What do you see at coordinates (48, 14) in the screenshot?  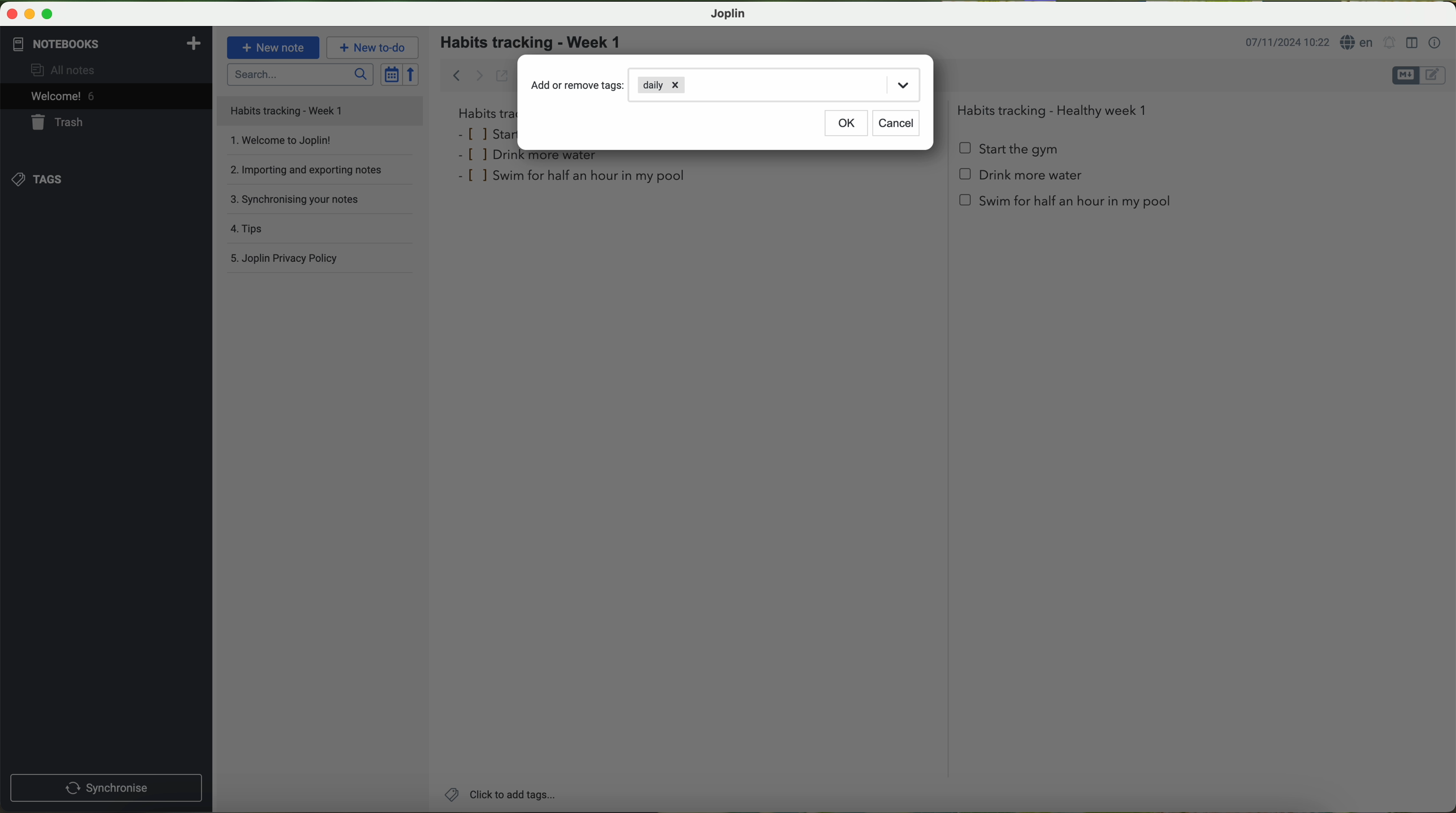 I see `maximize` at bounding box center [48, 14].